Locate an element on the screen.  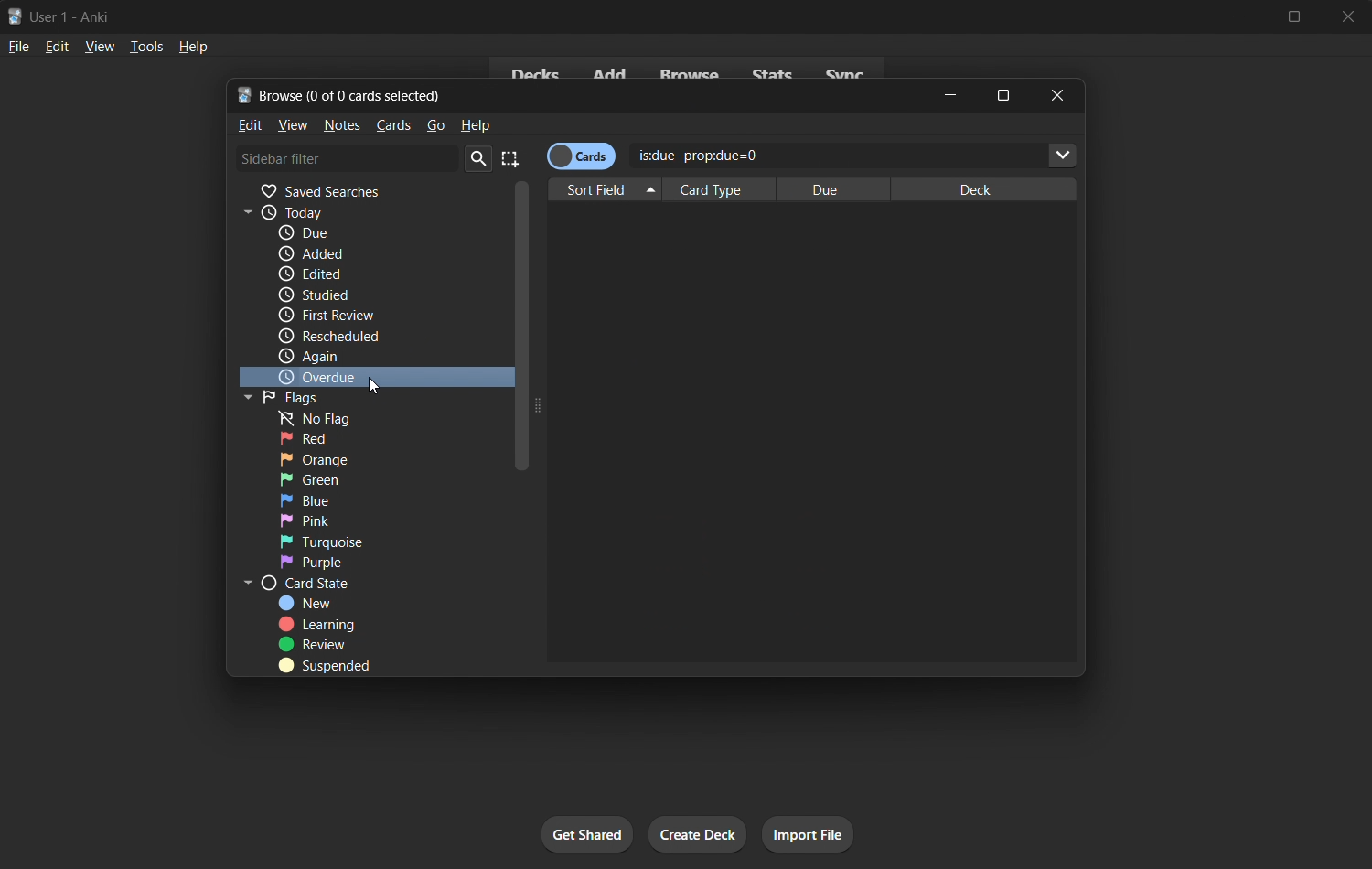
is:due -prop:due=0 is located at coordinates (796, 153).